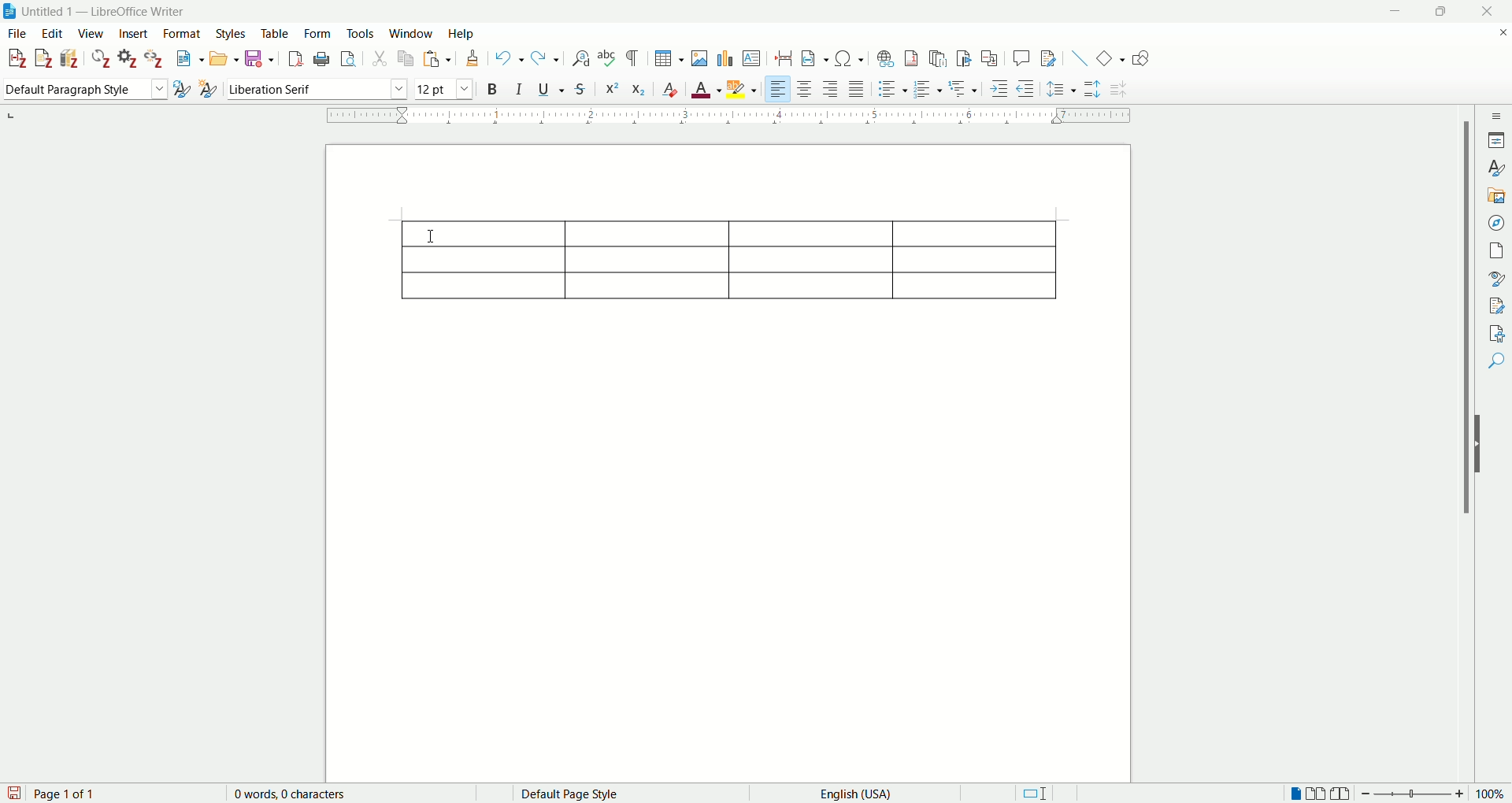  Describe the element at coordinates (1054, 59) in the screenshot. I see `show track changes` at that location.